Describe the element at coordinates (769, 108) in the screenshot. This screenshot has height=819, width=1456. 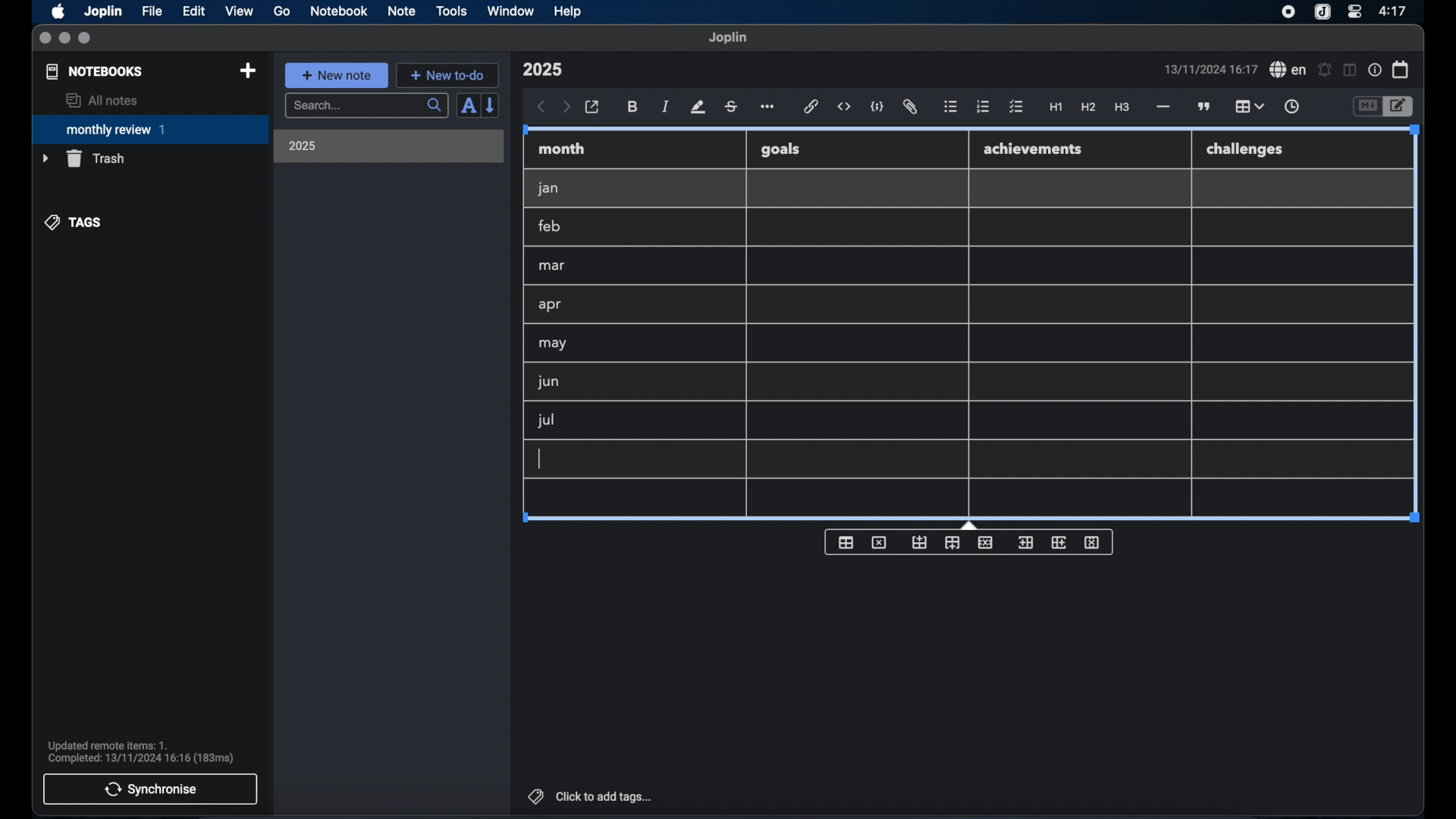
I see `more options` at that location.